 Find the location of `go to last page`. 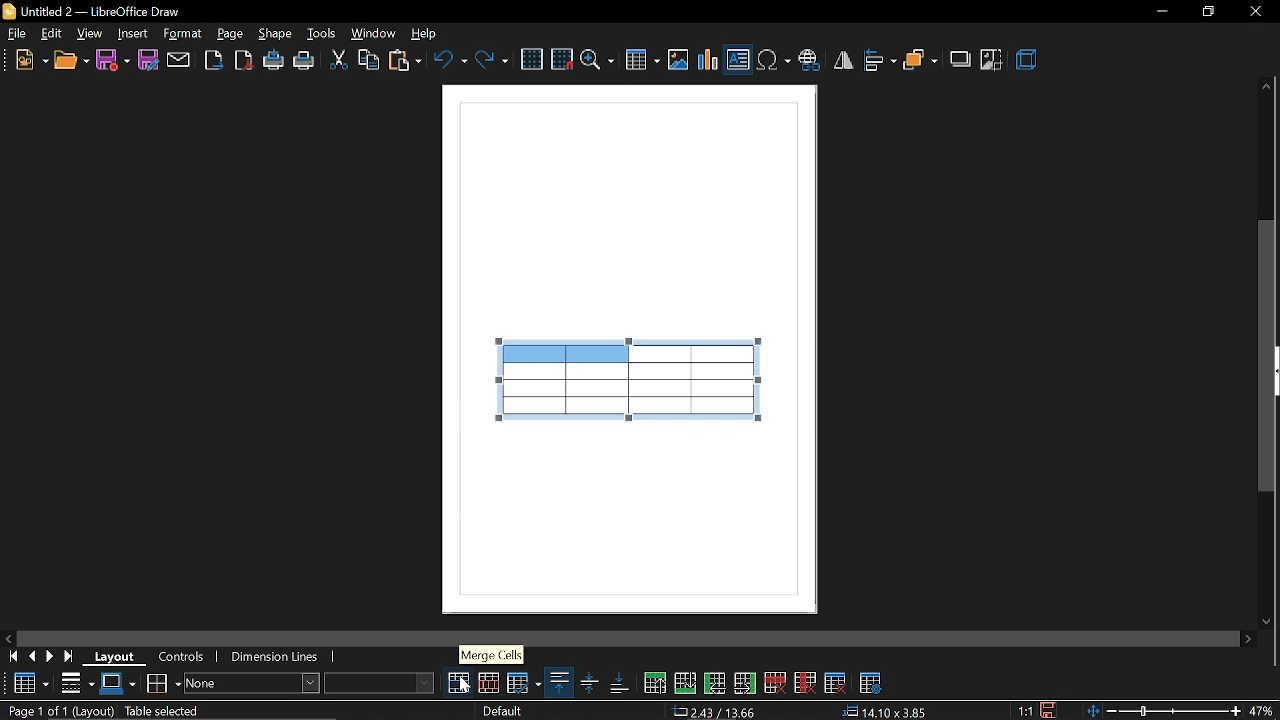

go to last page is located at coordinates (72, 657).